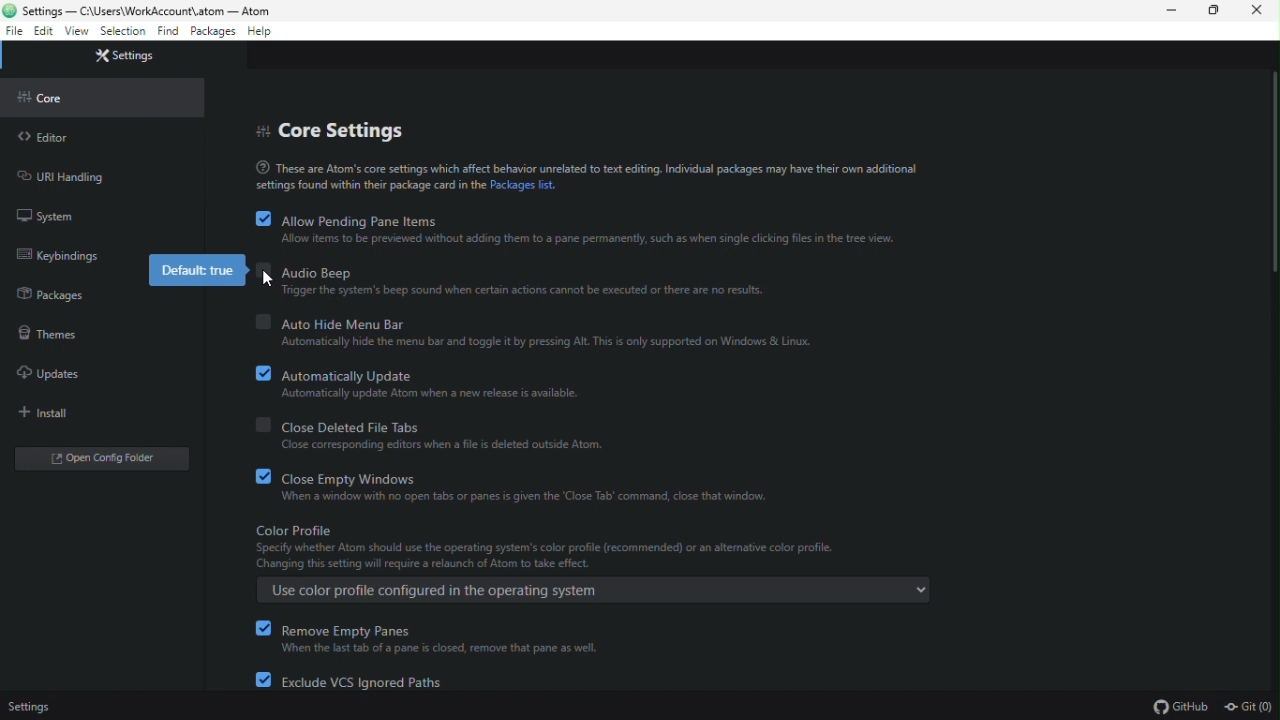 The height and width of the screenshot is (720, 1280). Describe the element at coordinates (199, 269) in the screenshot. I see `default true` at that location.